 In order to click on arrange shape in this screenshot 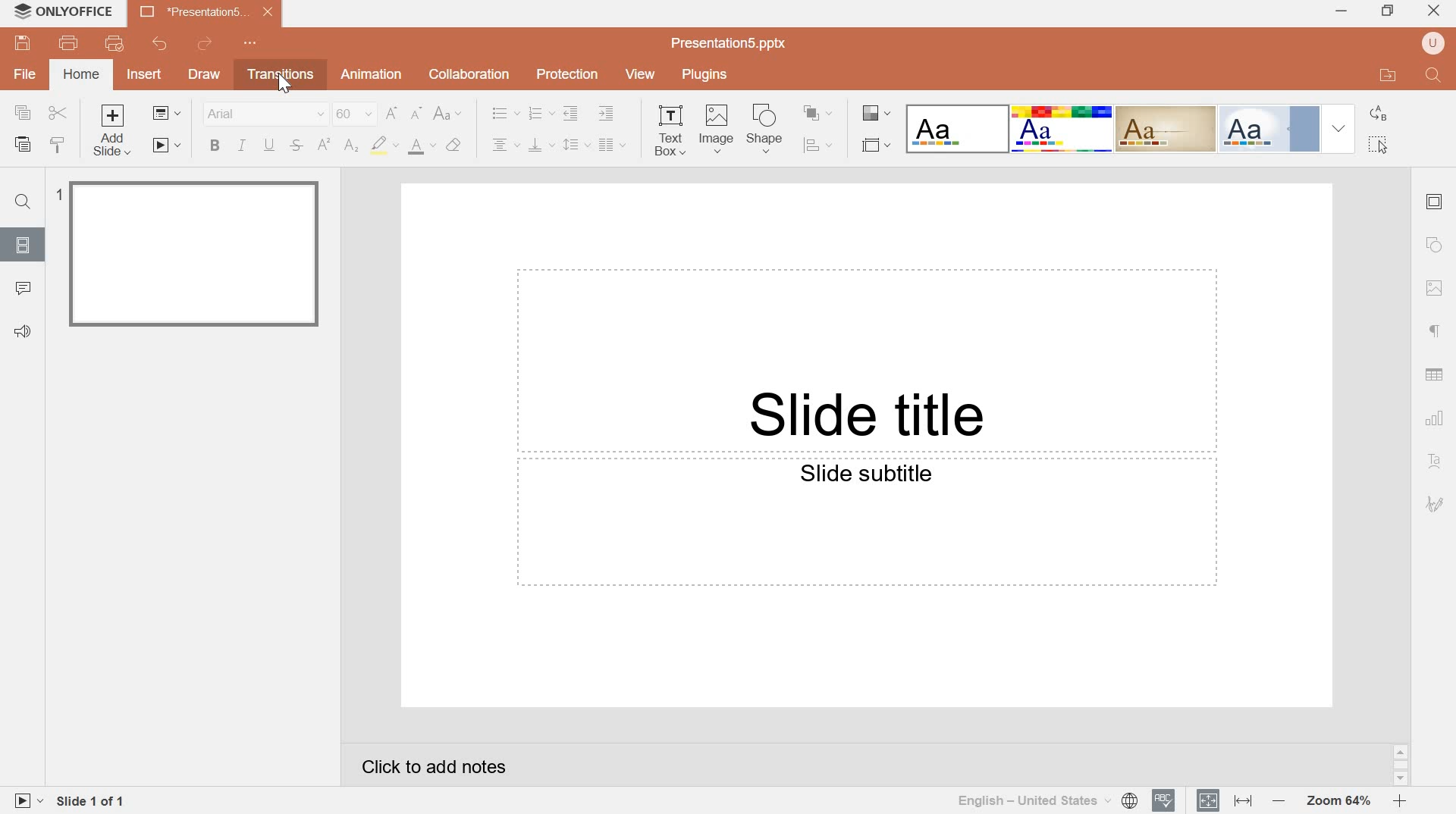, I will do `click(821, 113)`.